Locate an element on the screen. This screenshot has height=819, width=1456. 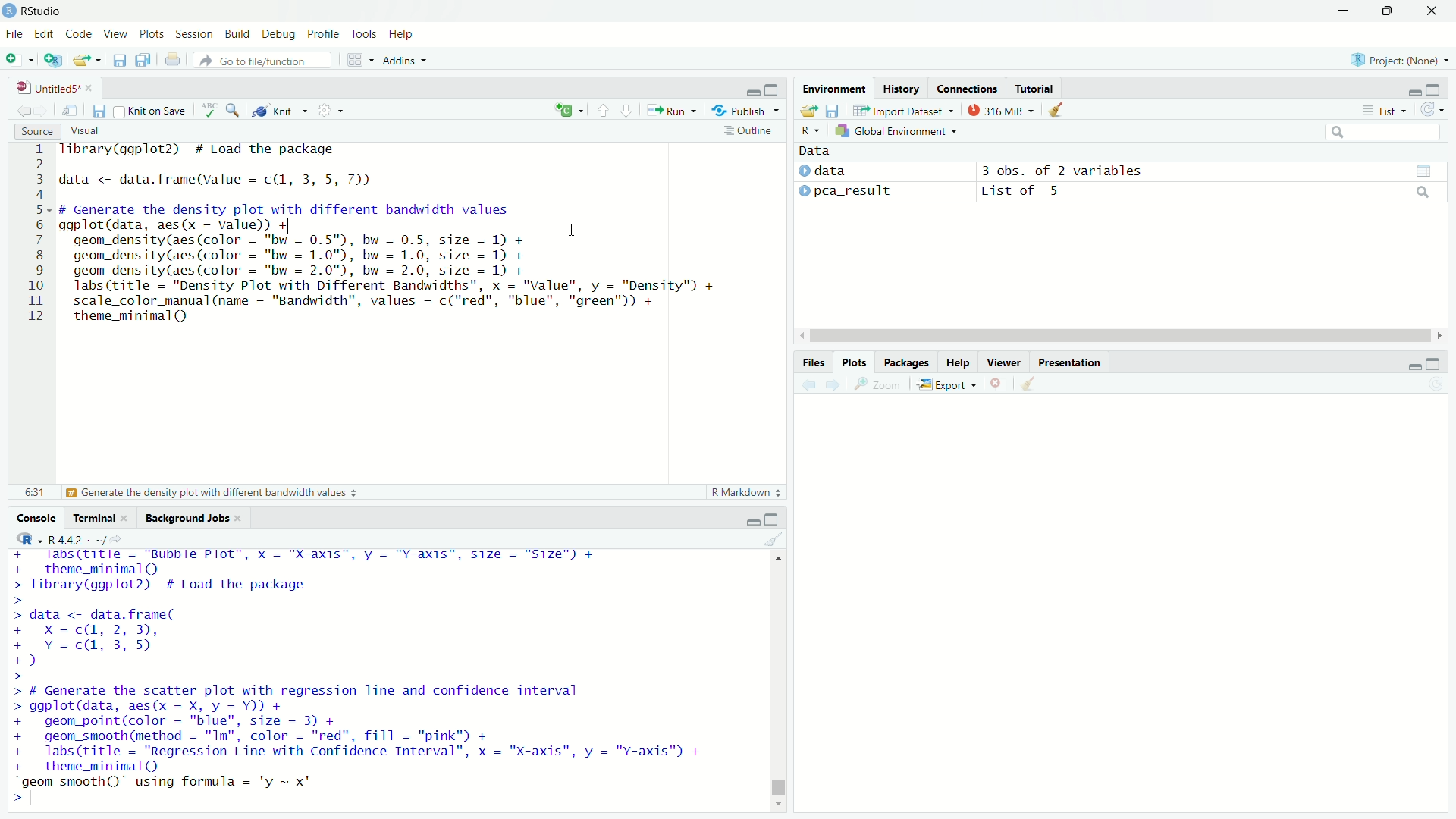
File is located at coordinates (14, 34).